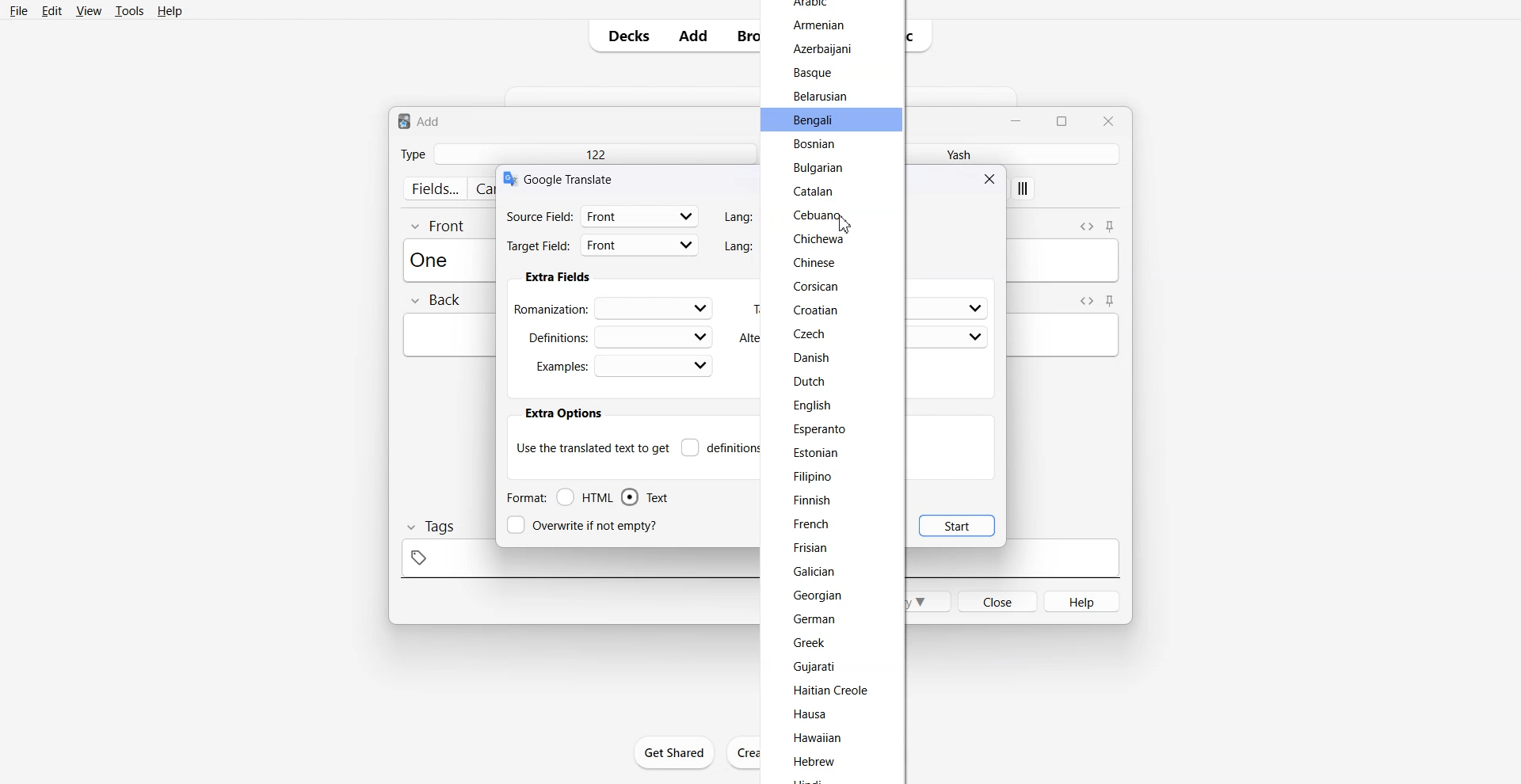 This screenshot has height=784, width=1521. What do you see at coordinates (129, 10) in the screenshot?
I see `Tools` at bounding box center [129, 10].